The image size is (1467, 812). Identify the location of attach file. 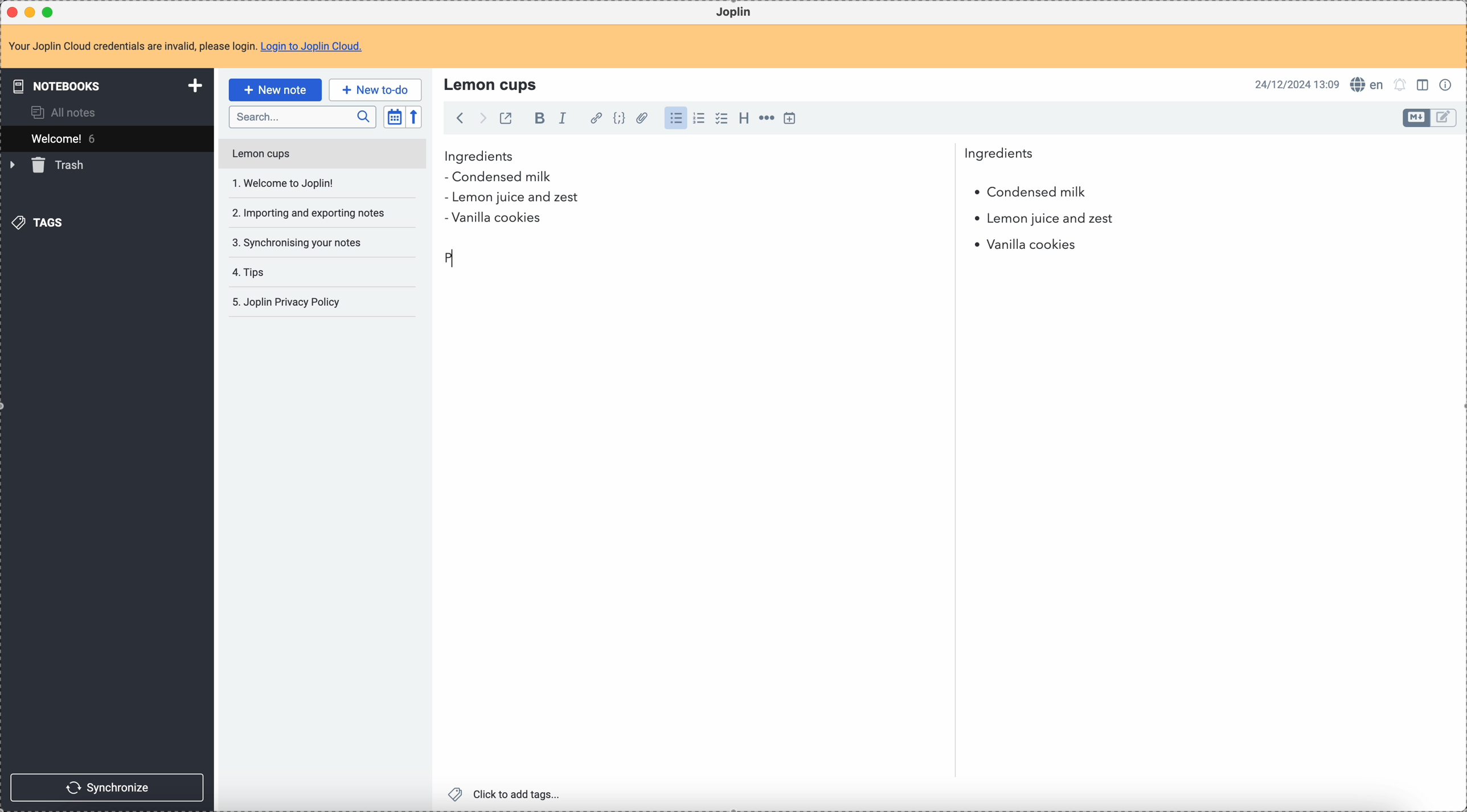
(640, 119).